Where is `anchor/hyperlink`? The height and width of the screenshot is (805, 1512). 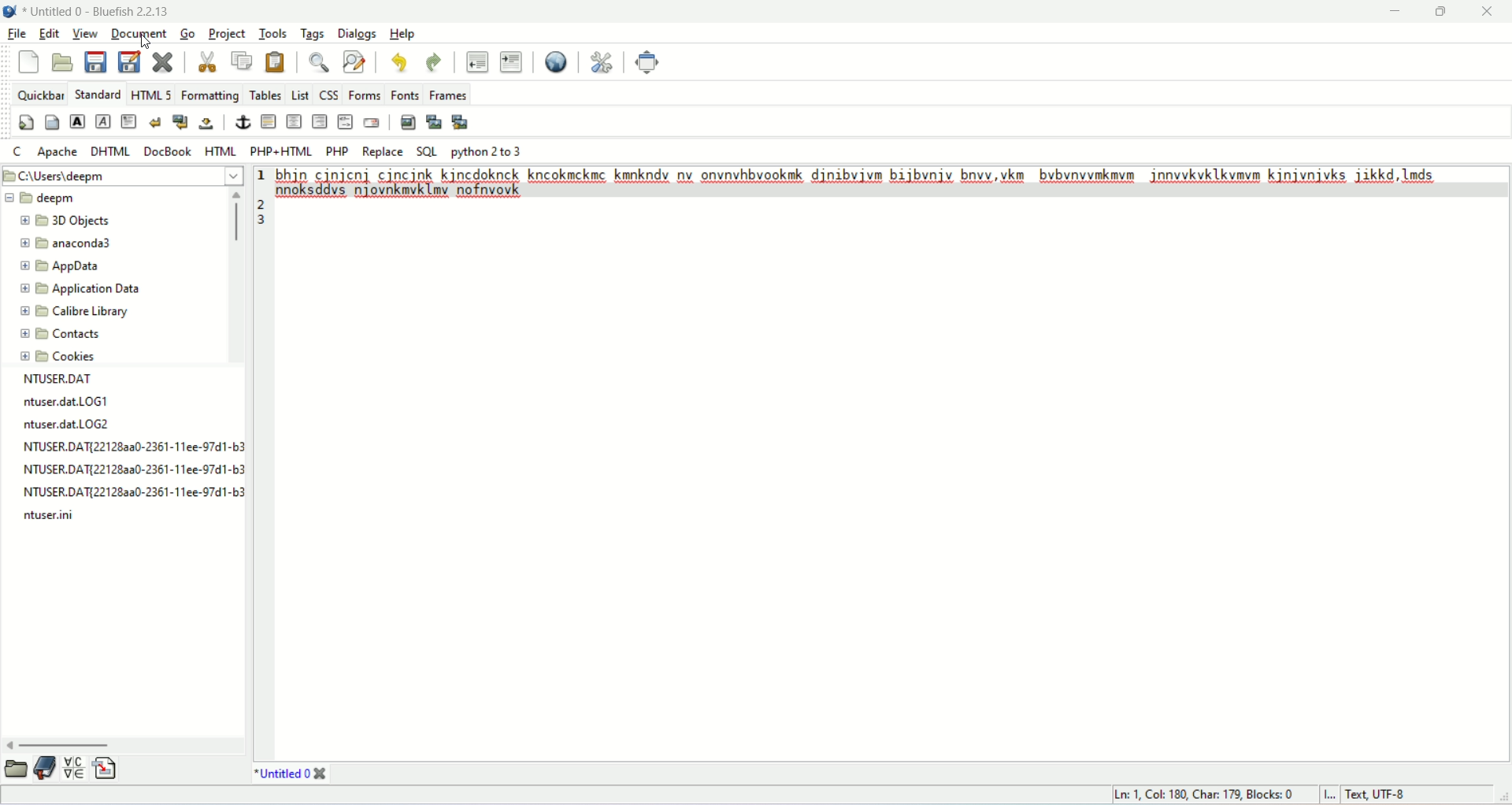 anchor/hyperlink is located at coordinates (243, 124).